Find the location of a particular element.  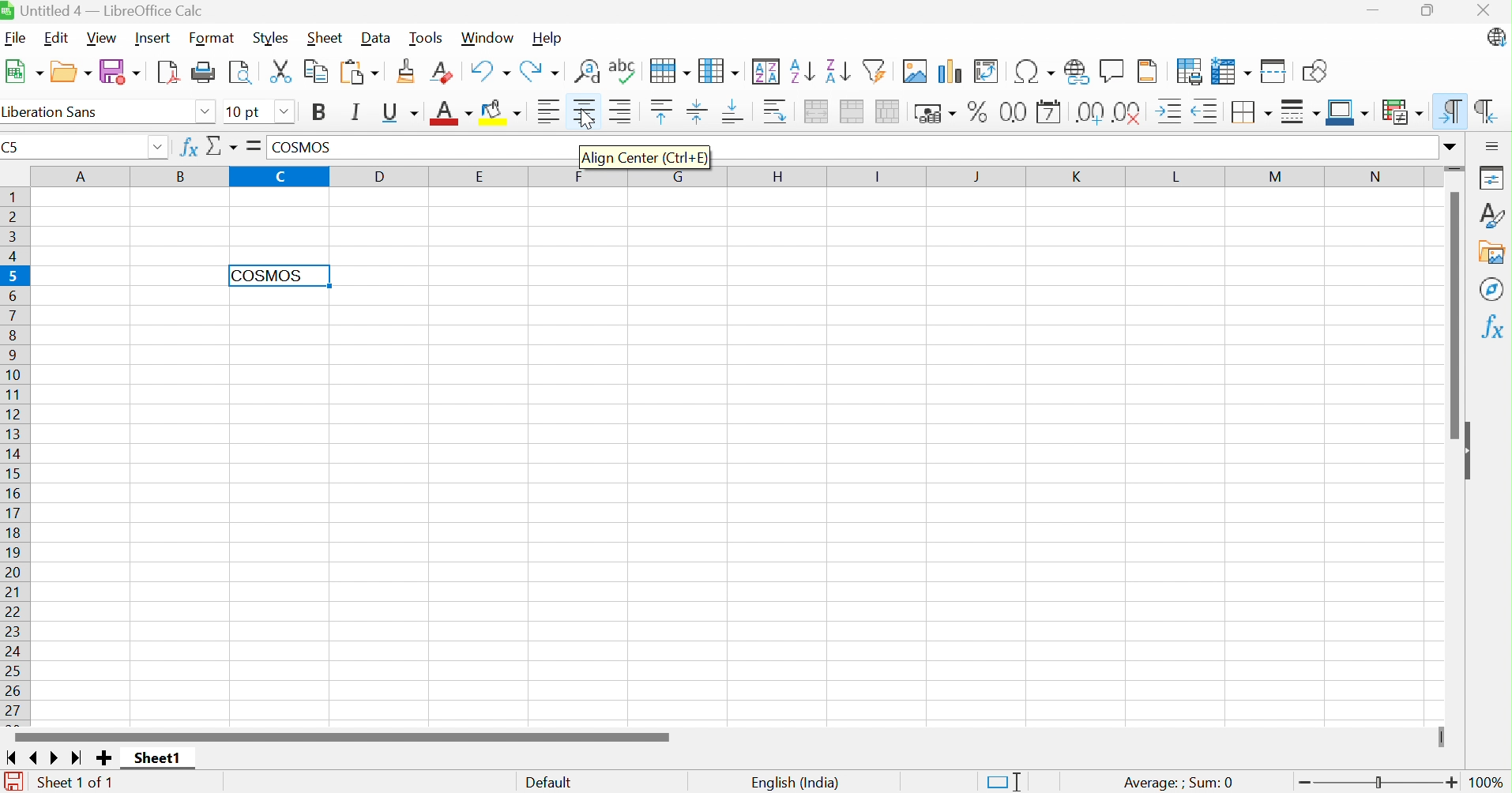

Headers and Footers is located at coordinates (1146, 73).